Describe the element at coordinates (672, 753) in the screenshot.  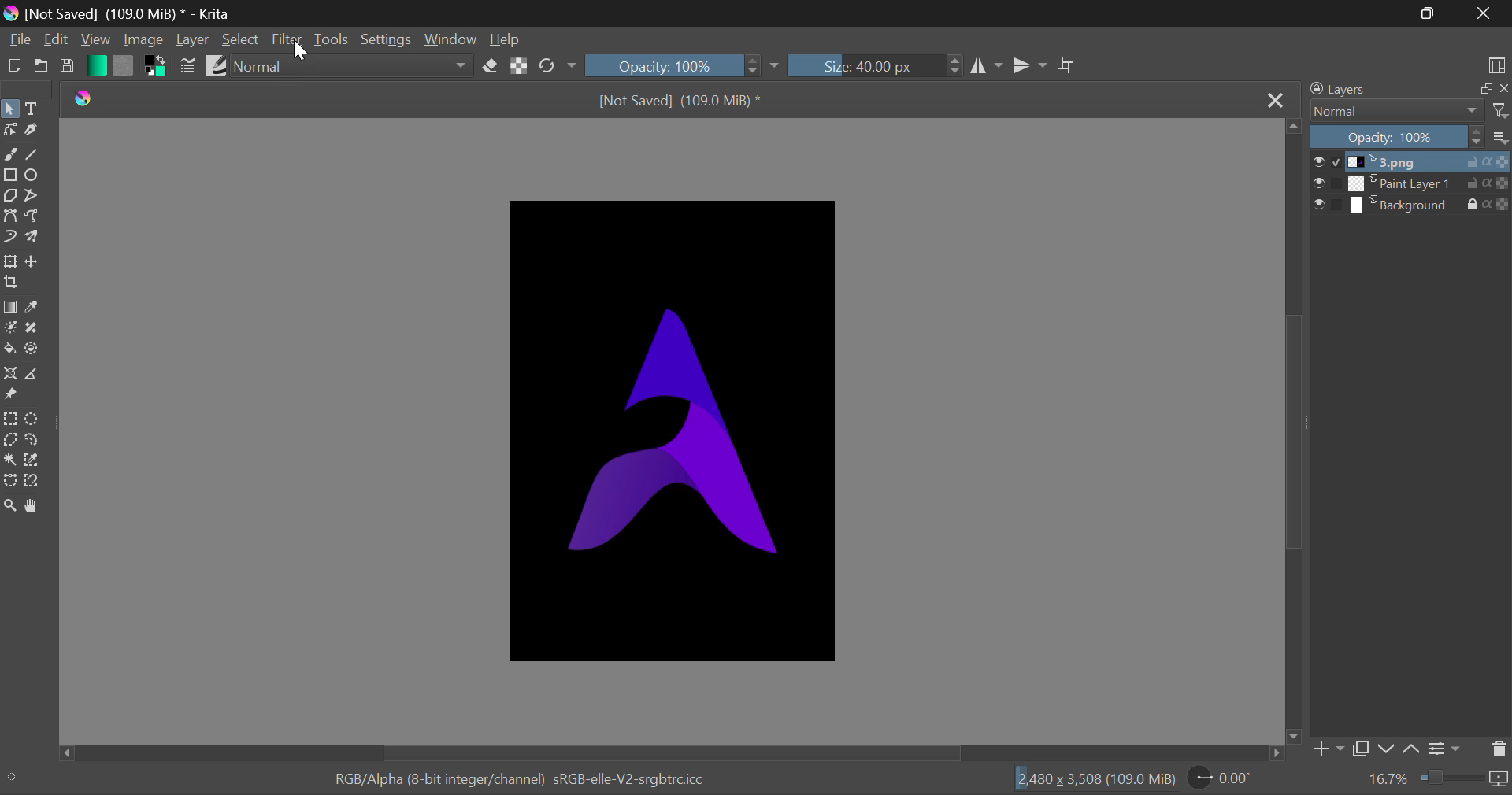
I see `Scroll Bar` at that location.